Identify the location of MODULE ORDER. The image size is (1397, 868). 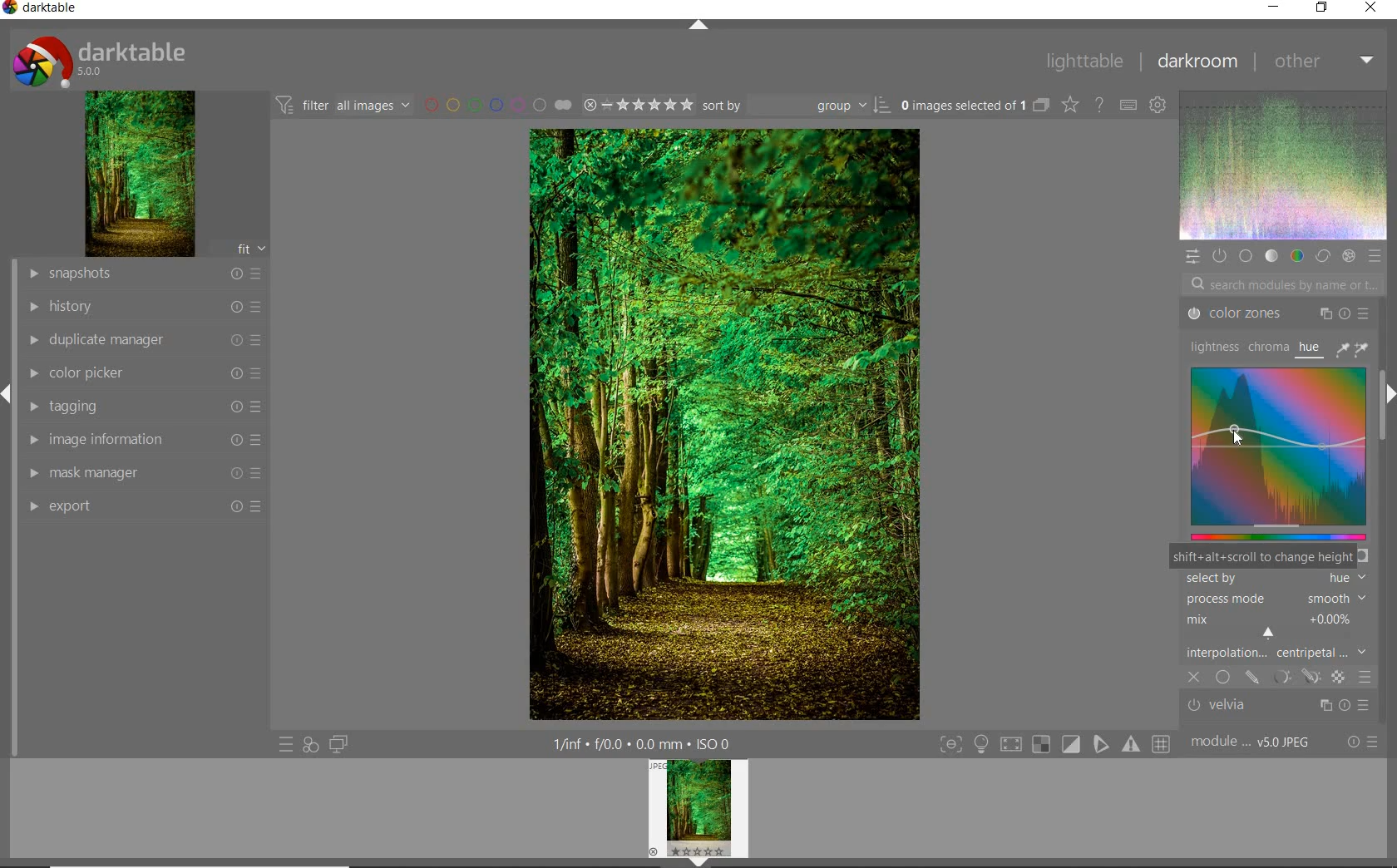
(1252, 742).